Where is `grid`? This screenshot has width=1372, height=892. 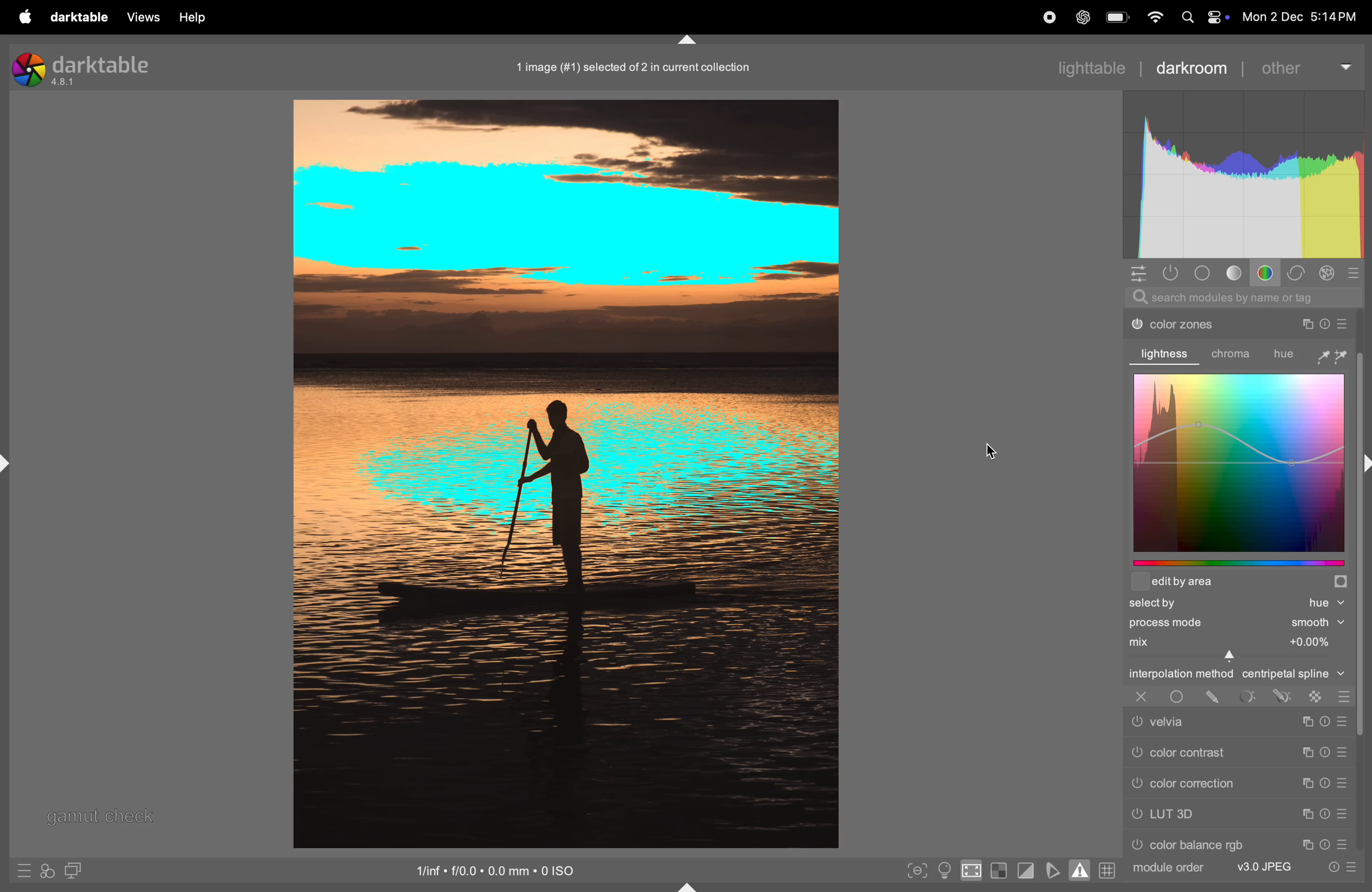 grid is located at coordinates (1110, 870).